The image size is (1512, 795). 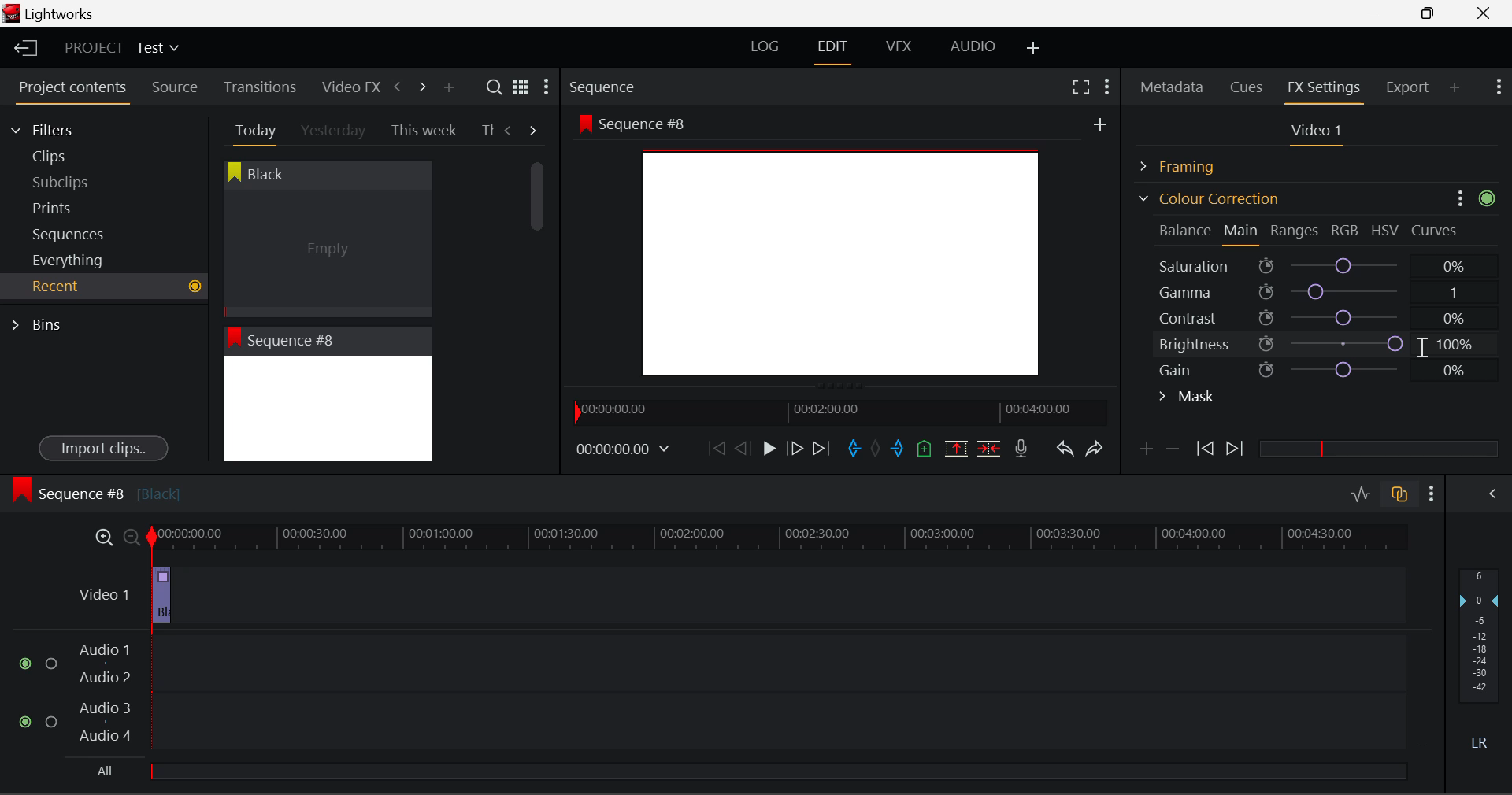 What do you see at coordinates (1432, 494) in the screenshot?
I see `Show Settings` at bounding box center [1432, 494].